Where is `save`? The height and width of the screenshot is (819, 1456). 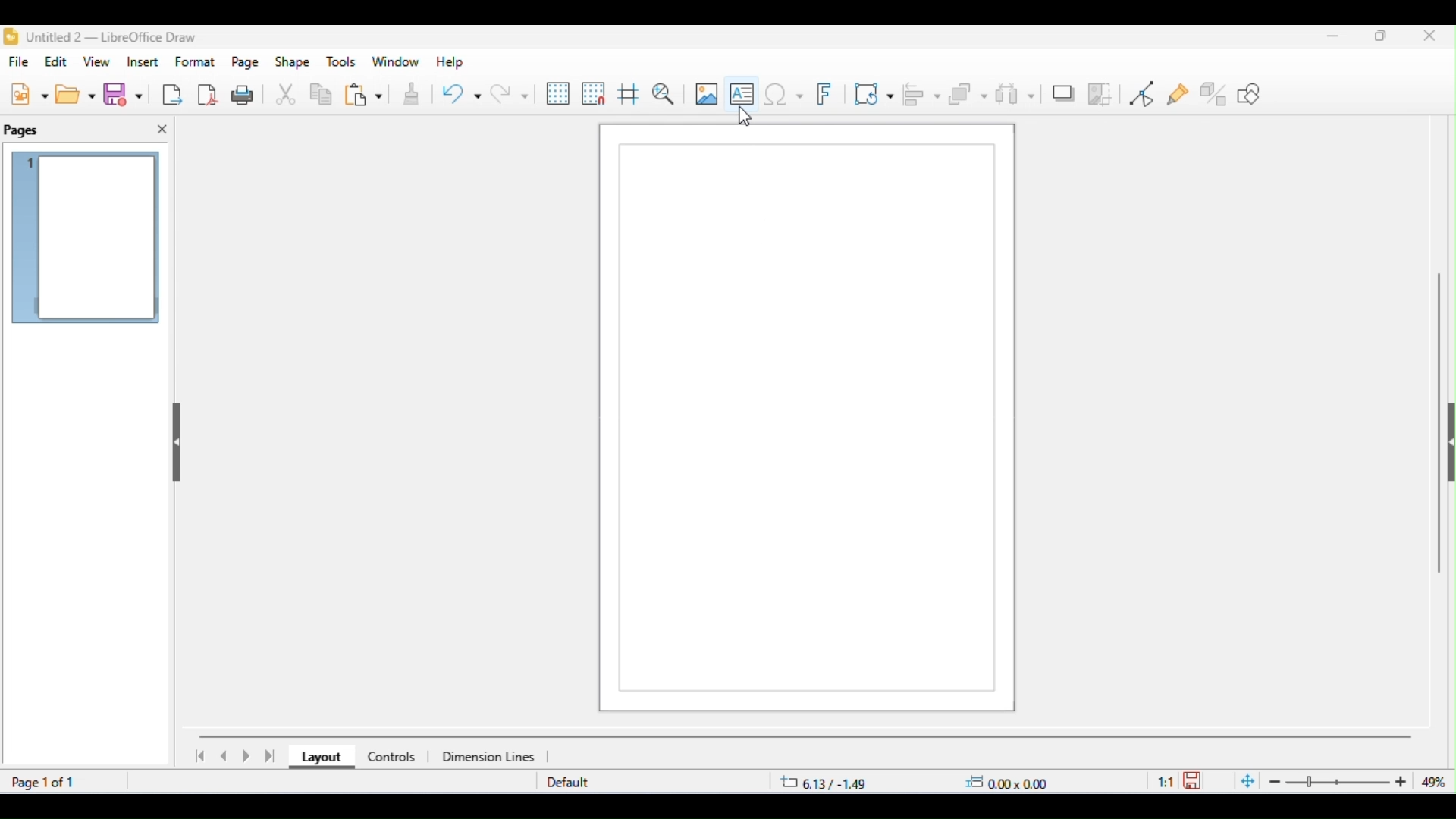
save is located at coordinates (126, 95).